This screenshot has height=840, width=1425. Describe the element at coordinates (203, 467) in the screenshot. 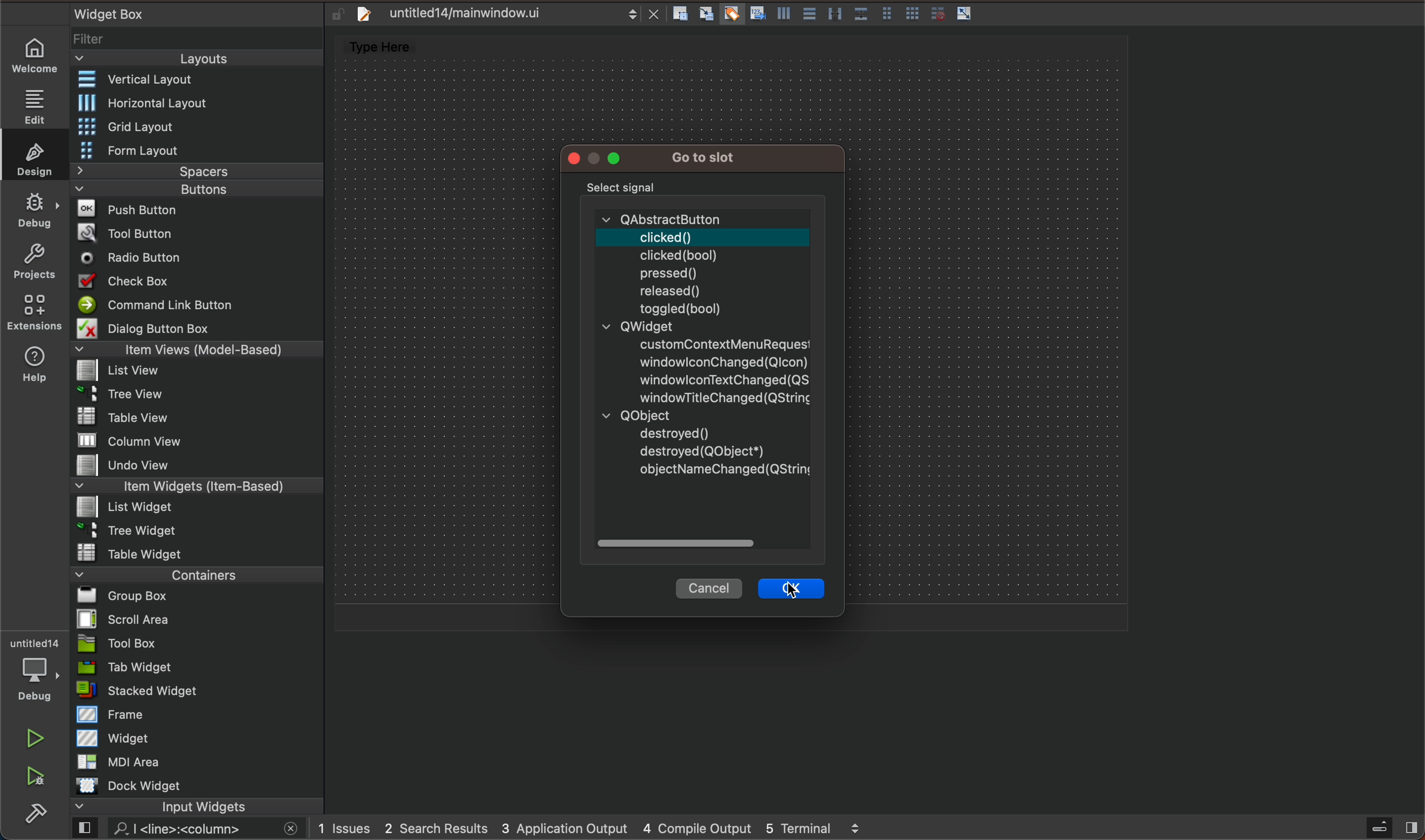

I see `undo view` at that location.